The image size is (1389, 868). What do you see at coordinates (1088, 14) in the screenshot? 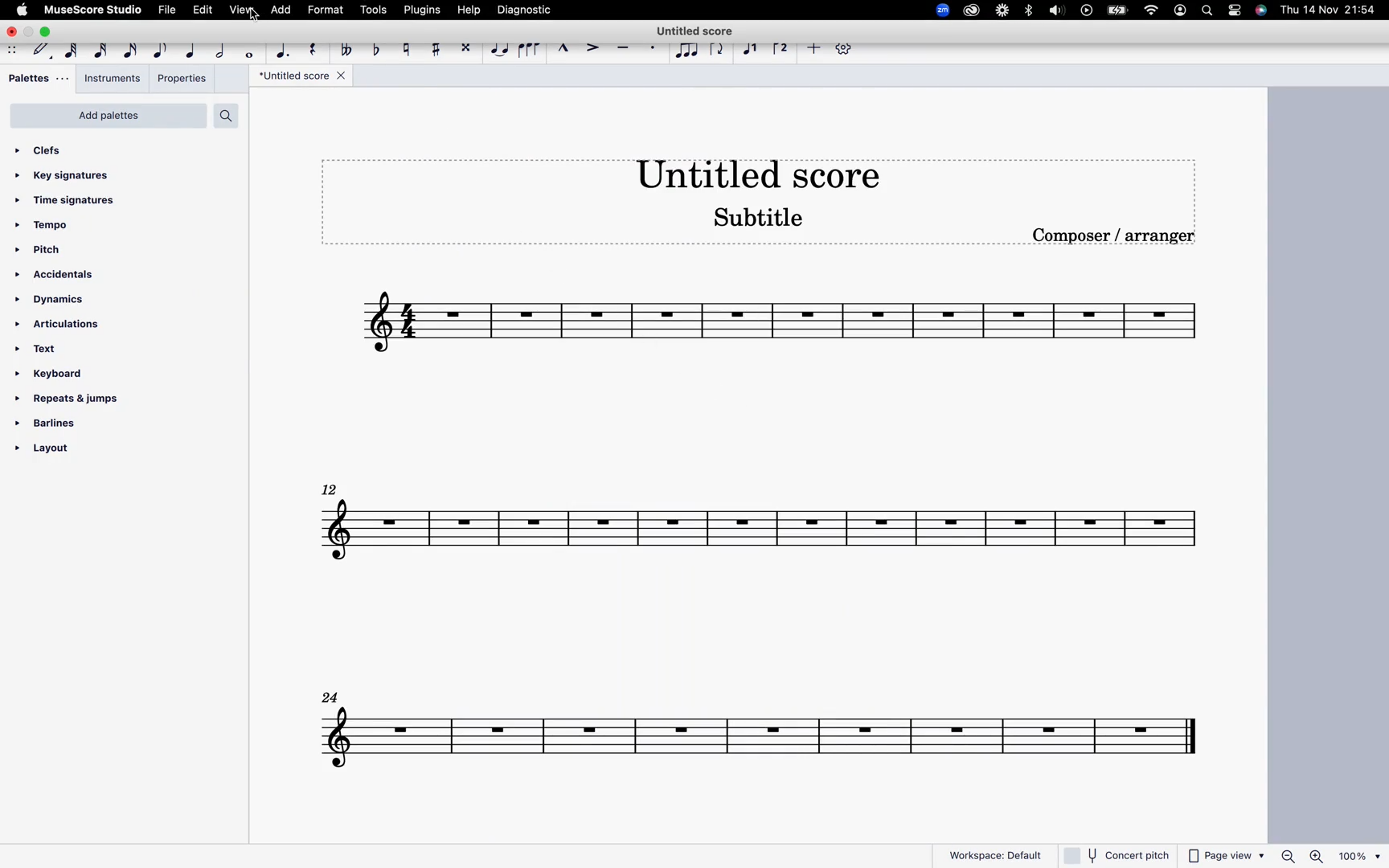
I see `record` at bounding box center [1088, 14].